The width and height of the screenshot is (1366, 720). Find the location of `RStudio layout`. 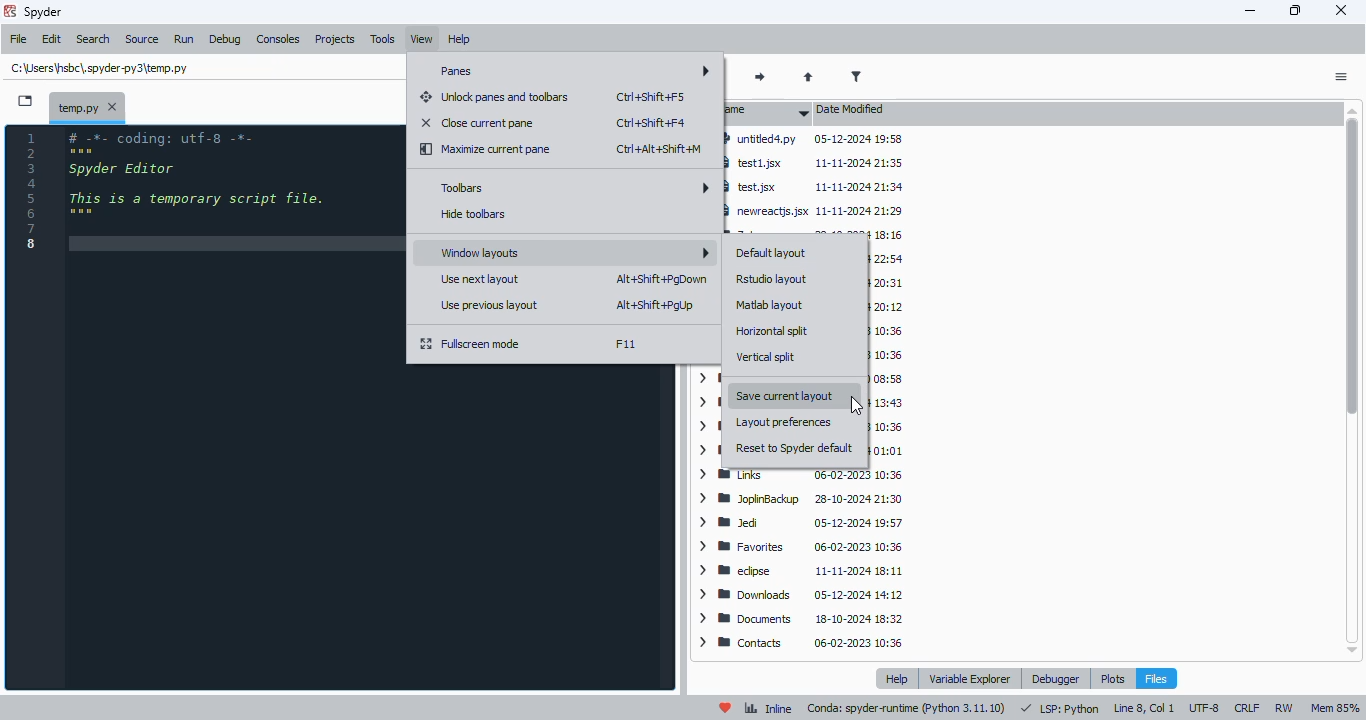

RStudio layout is located at coordinates (770, 278).